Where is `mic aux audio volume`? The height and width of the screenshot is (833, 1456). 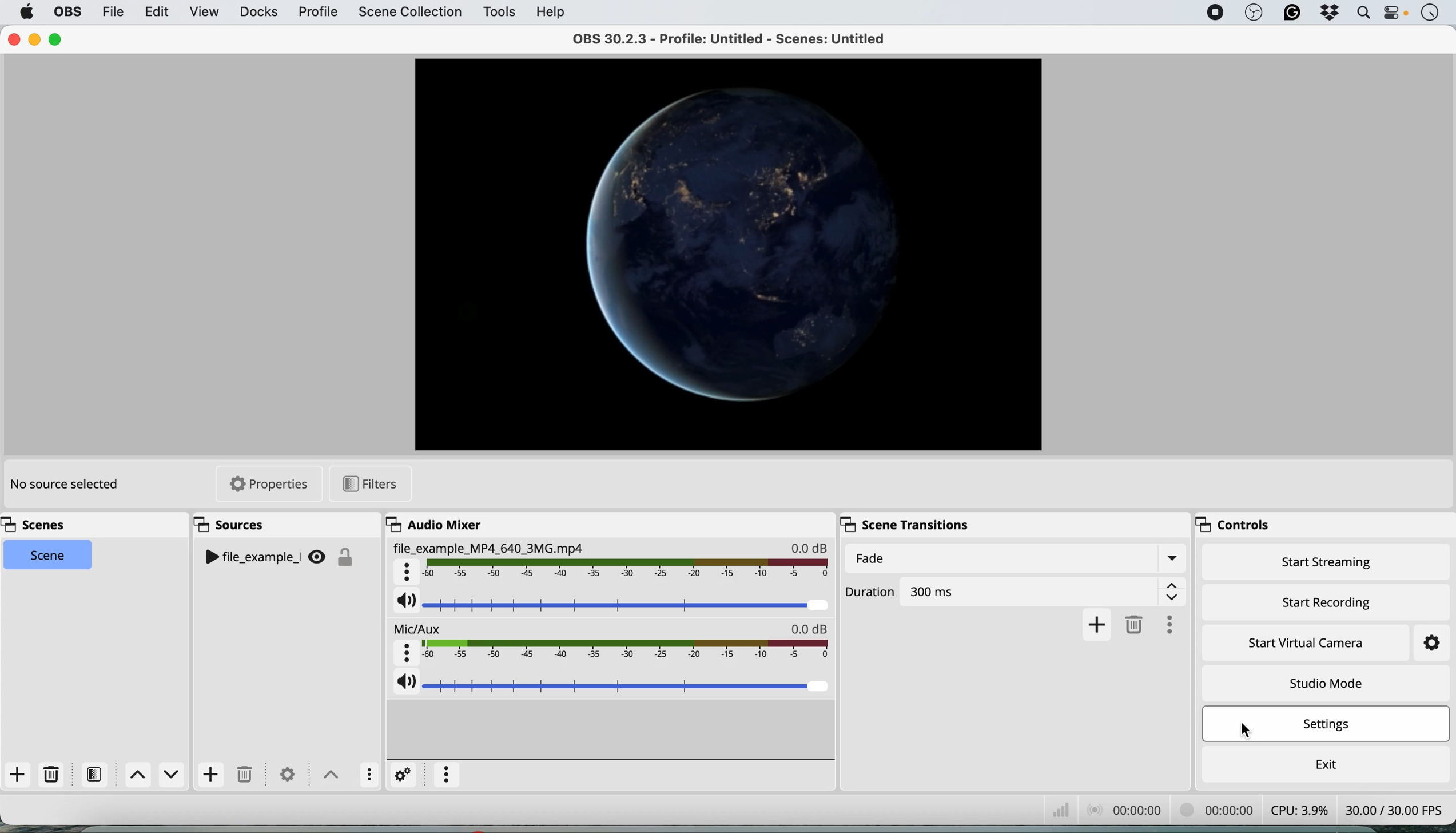
mic aux audio volume is located at coordinates (612, 687).